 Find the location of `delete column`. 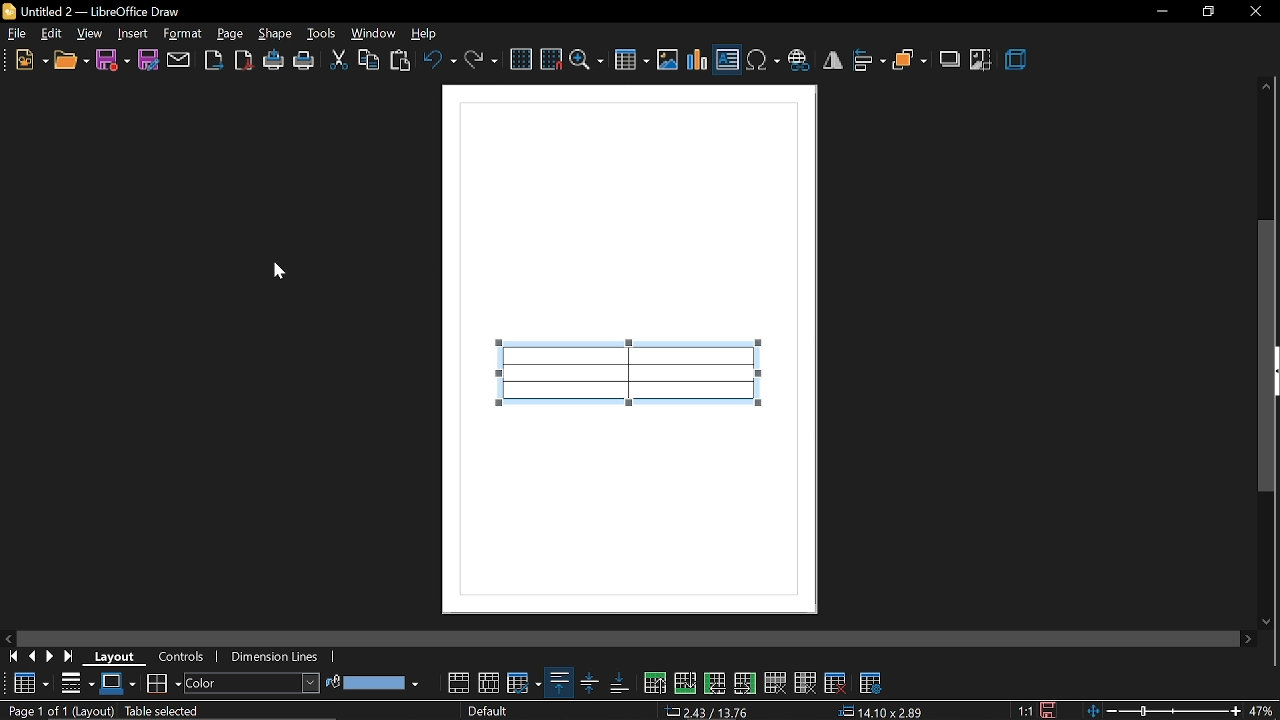

delete column is located at coordinates (806, 686).